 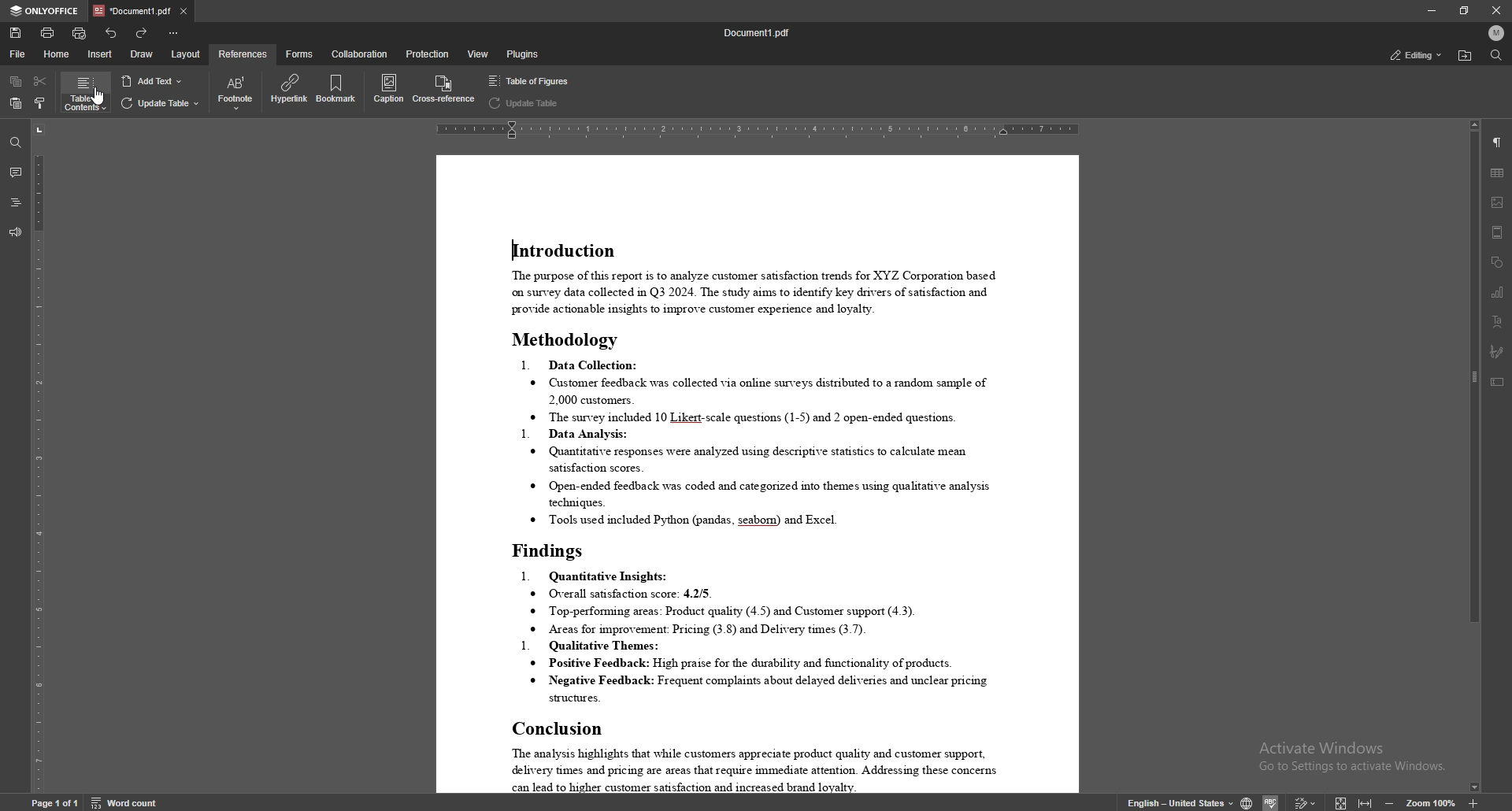 I want to click on horizontal scale, so click(x=758, y=129).